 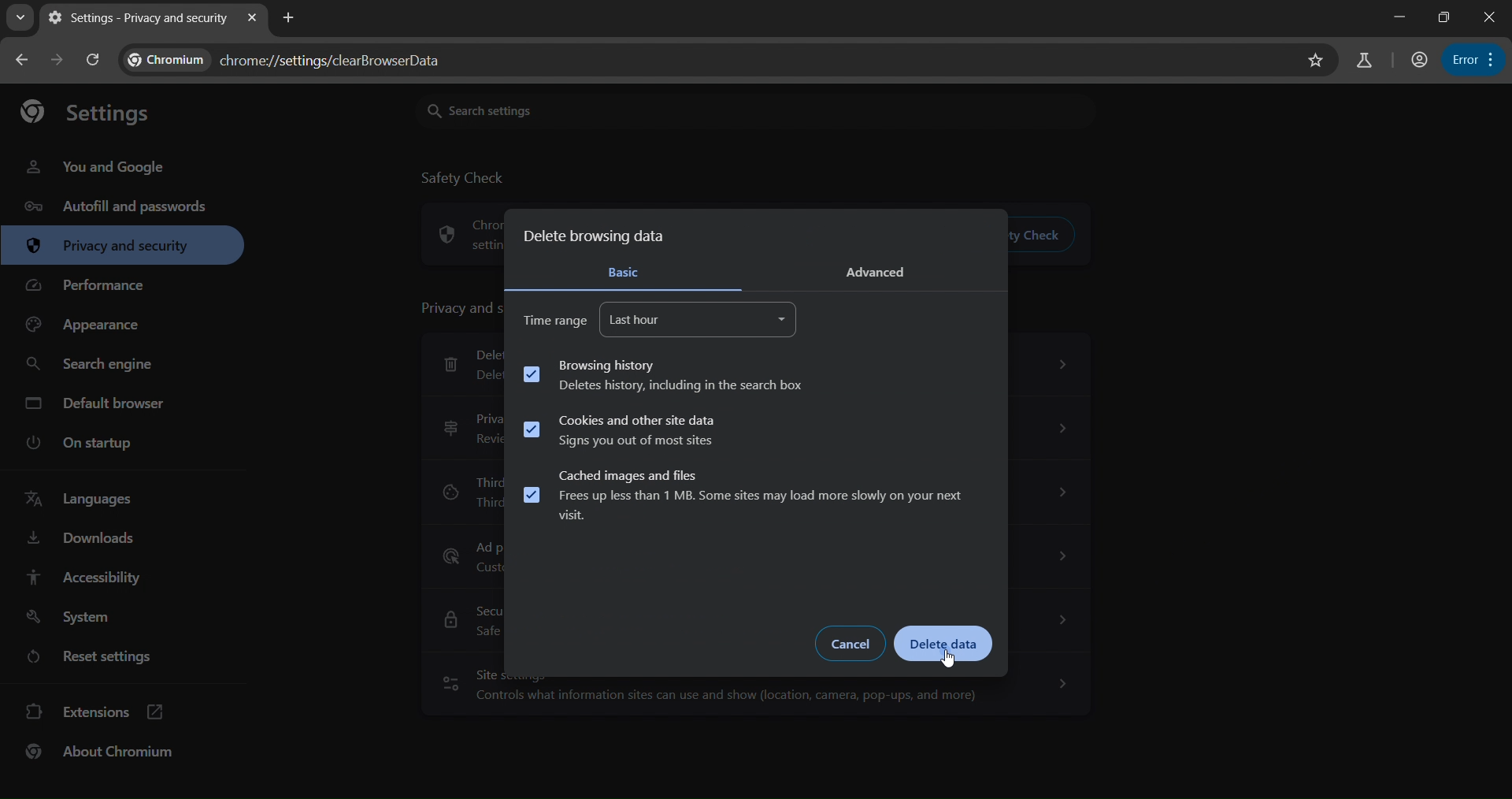 I want to click on on startup, so click(x=81, y=443).